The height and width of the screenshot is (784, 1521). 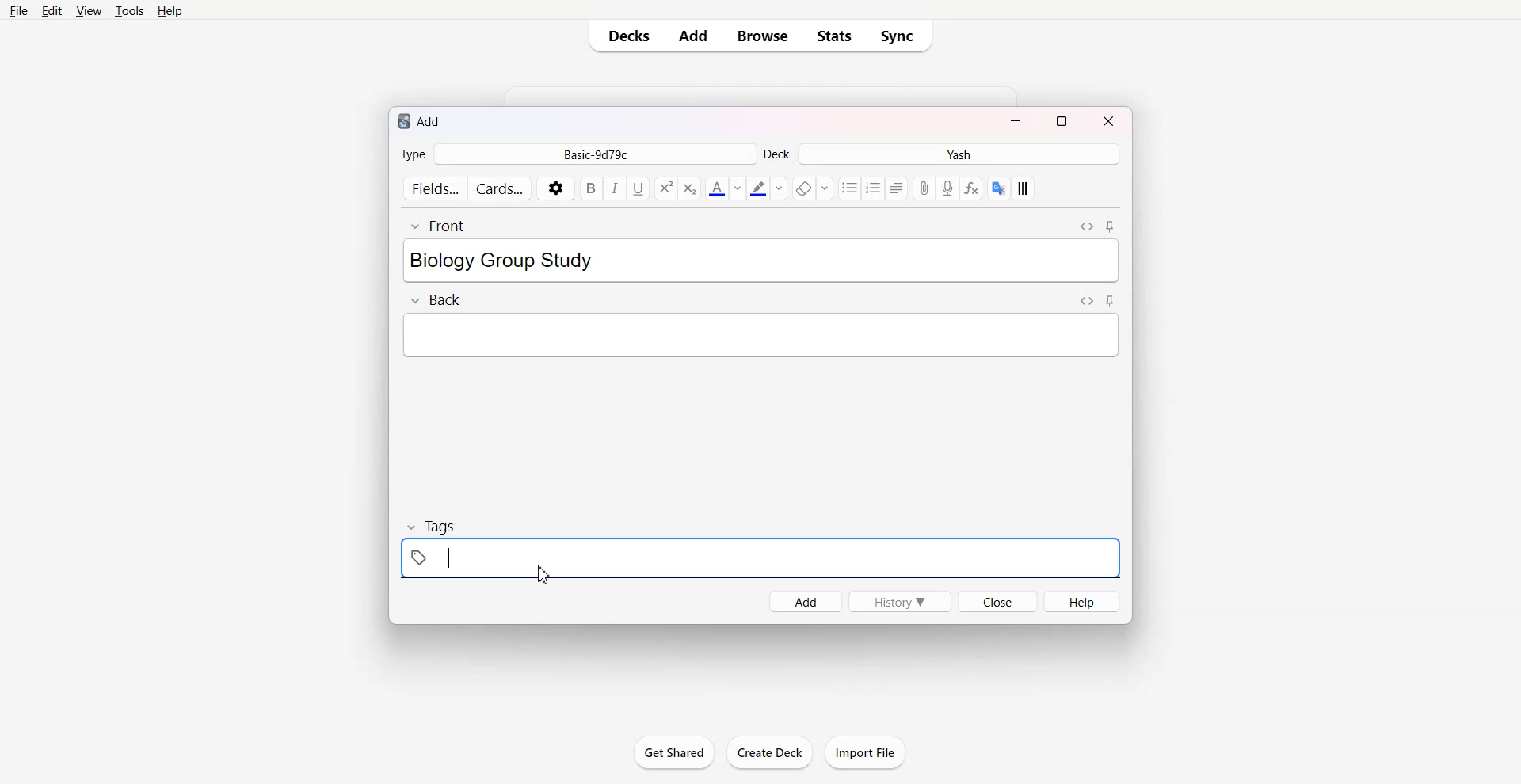 What do you see at coordinates (577, 154) in the screenshot?
I see `Type Basic-9d79c` at bounding box center [577, 154].